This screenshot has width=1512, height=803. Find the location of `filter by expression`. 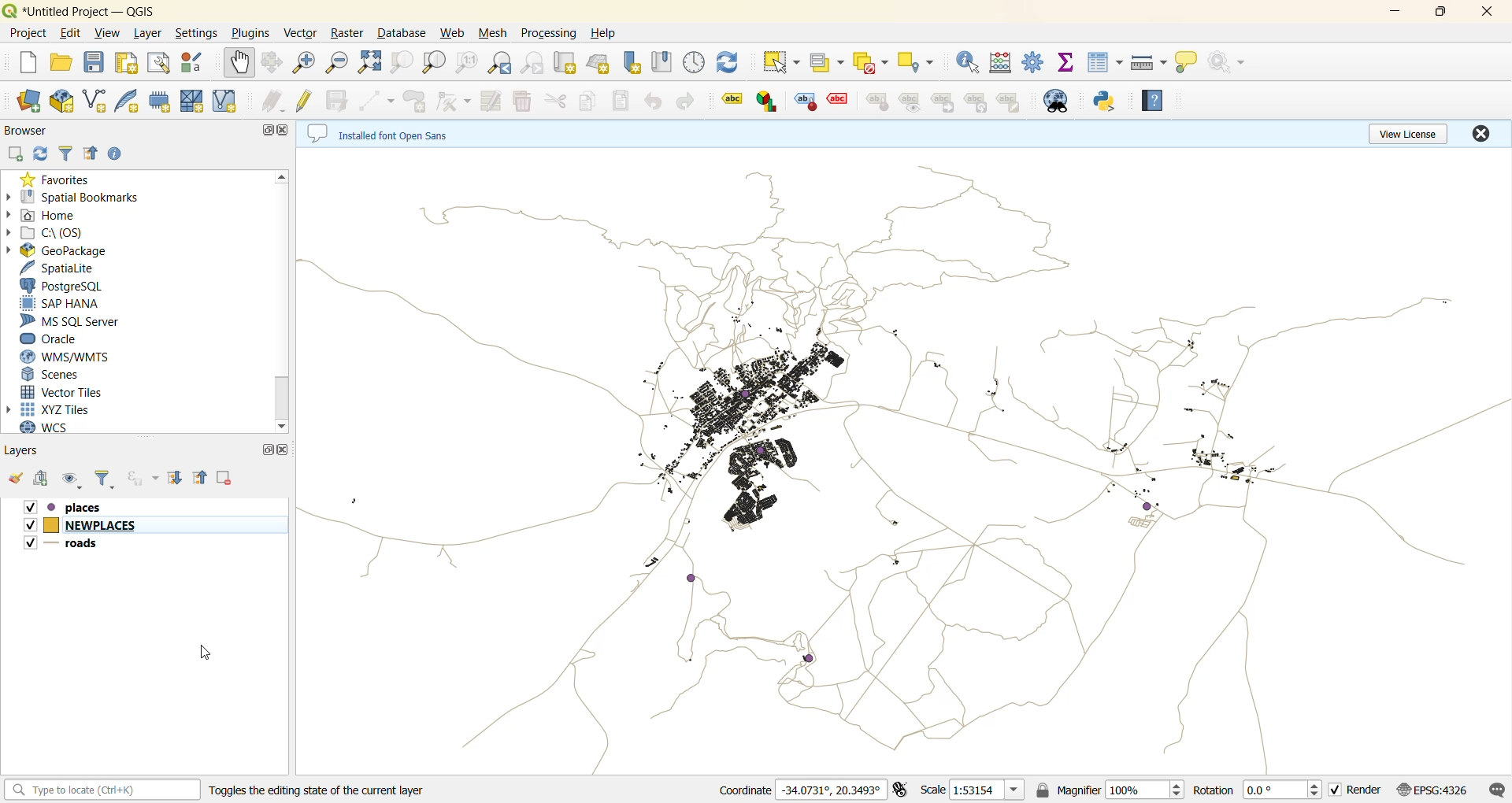

filter by expression is located at coordinates (142, 479).